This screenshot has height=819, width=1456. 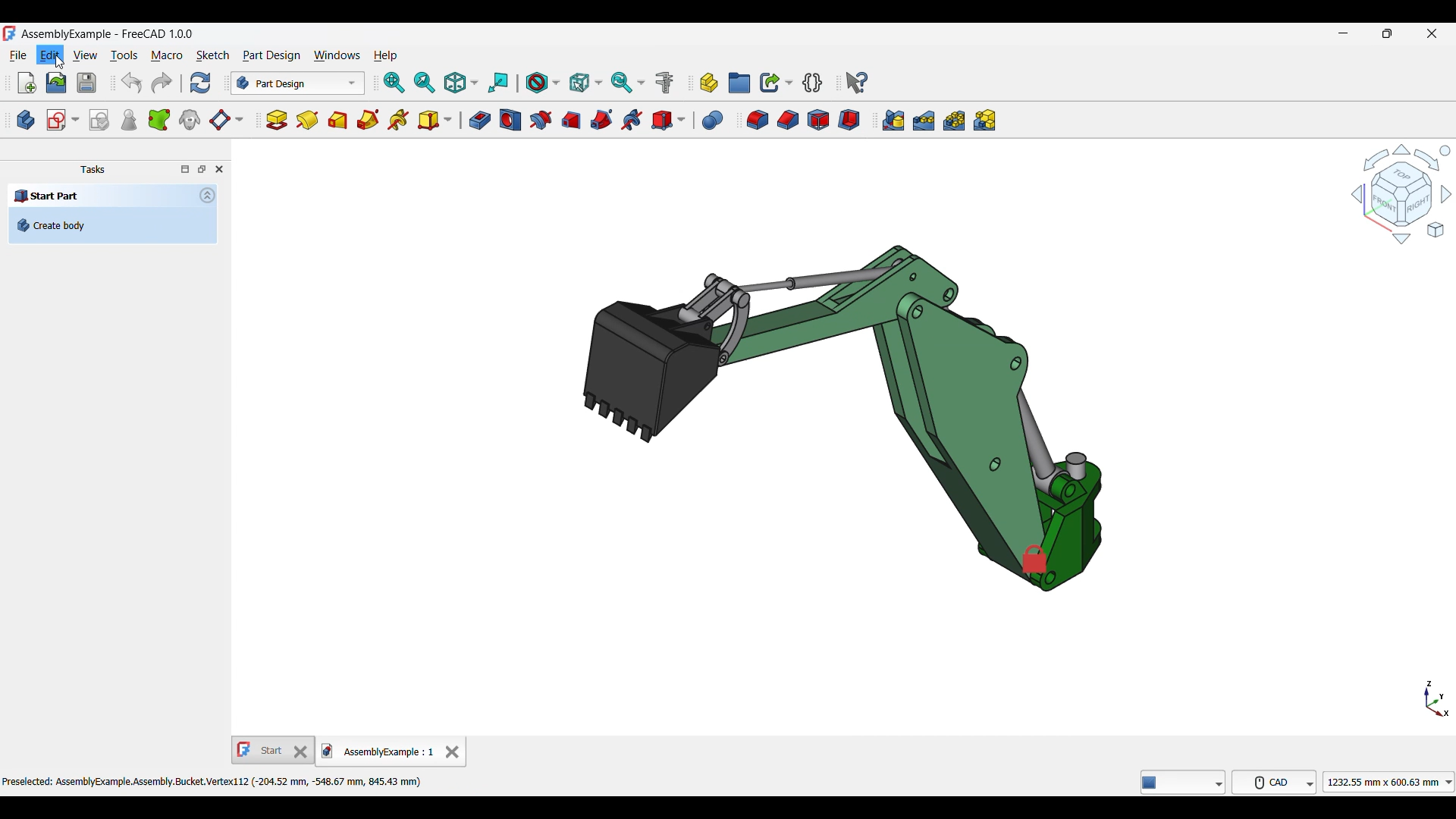 I want to click on Redo, so click(x=162, y=83).